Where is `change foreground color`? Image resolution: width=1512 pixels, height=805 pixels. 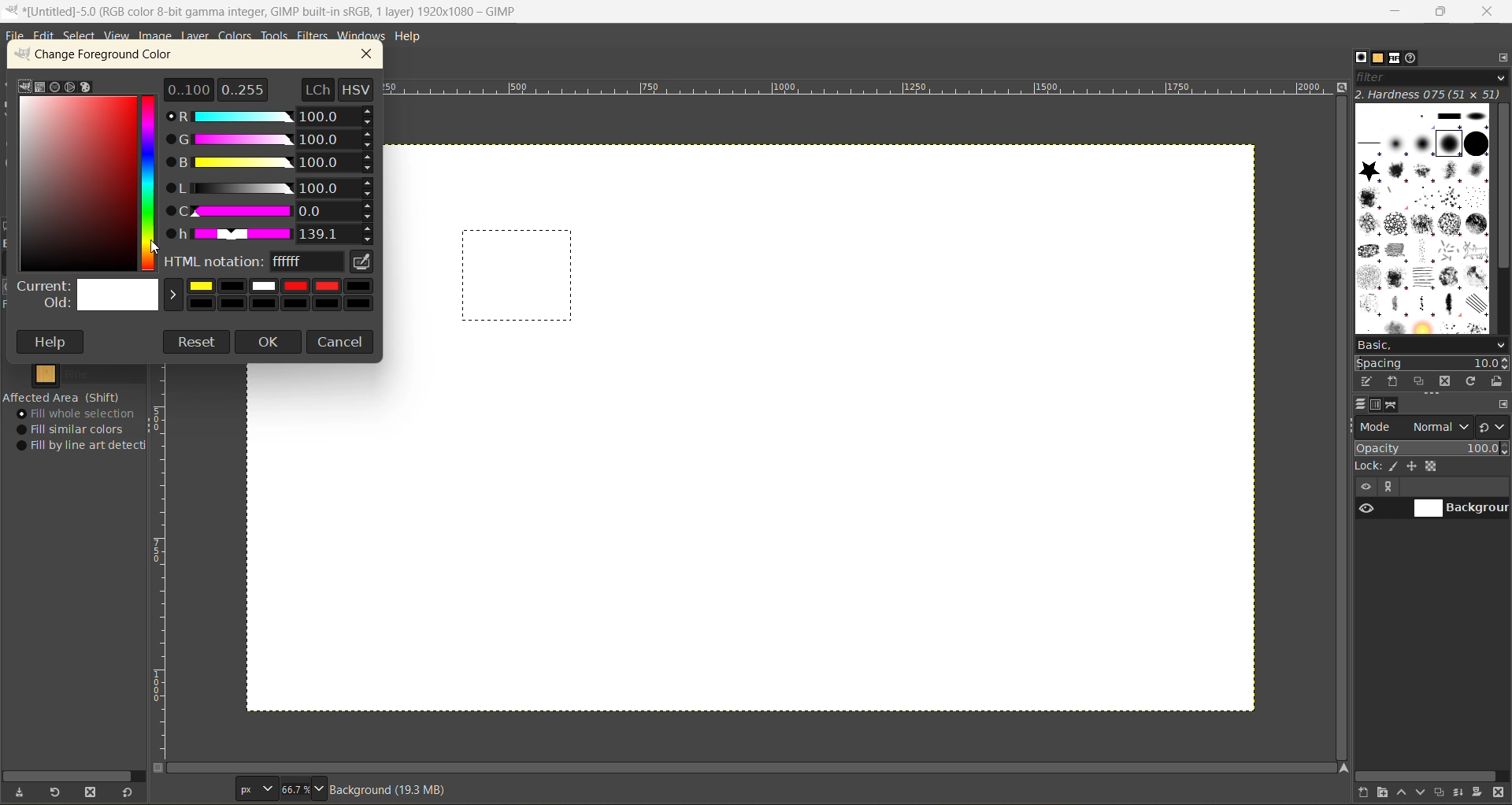
change foreground color is located at coordinates (109, 57).